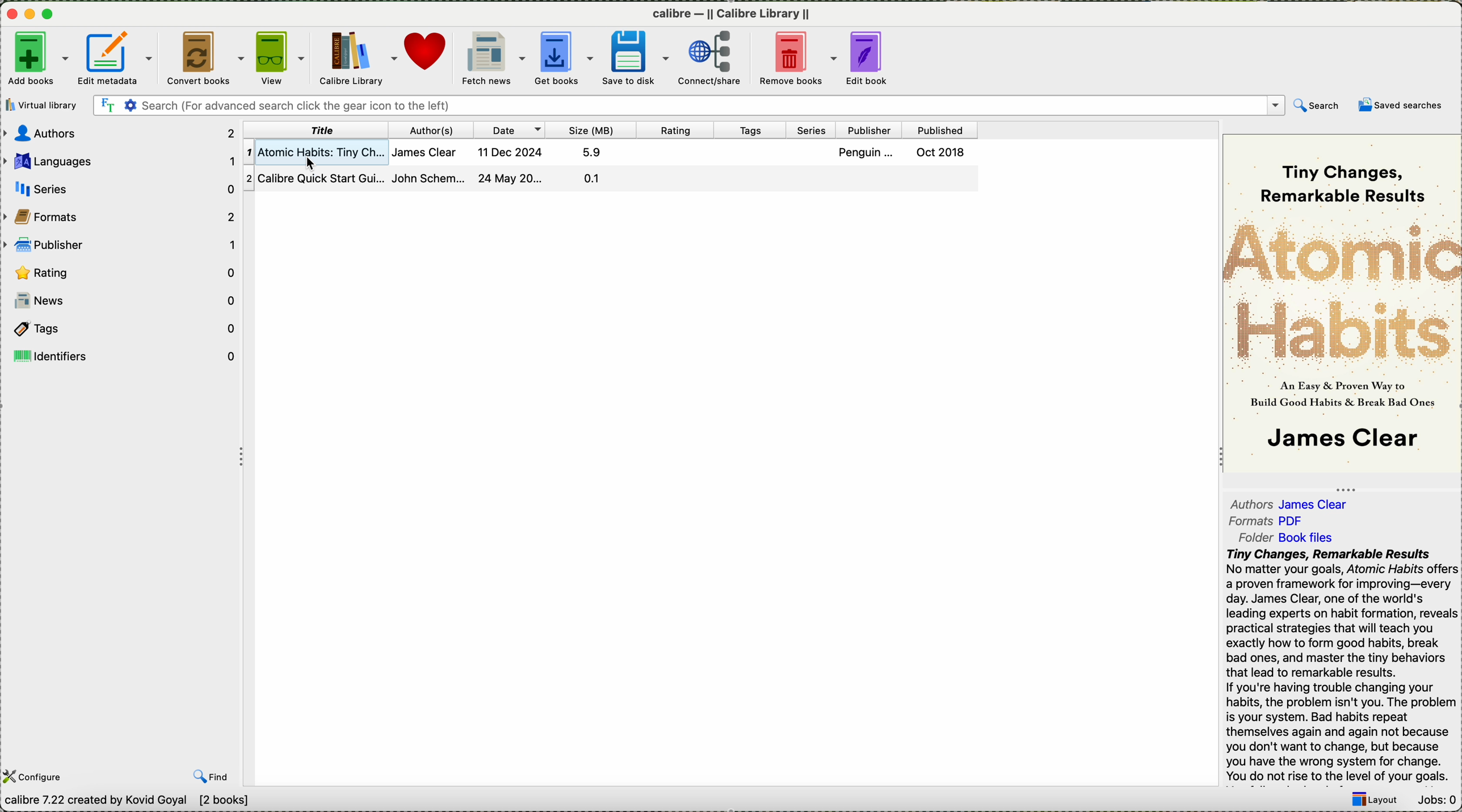 The height and width of the screenshot is (812, 1462). I want to click on donate, so click(428, 54).